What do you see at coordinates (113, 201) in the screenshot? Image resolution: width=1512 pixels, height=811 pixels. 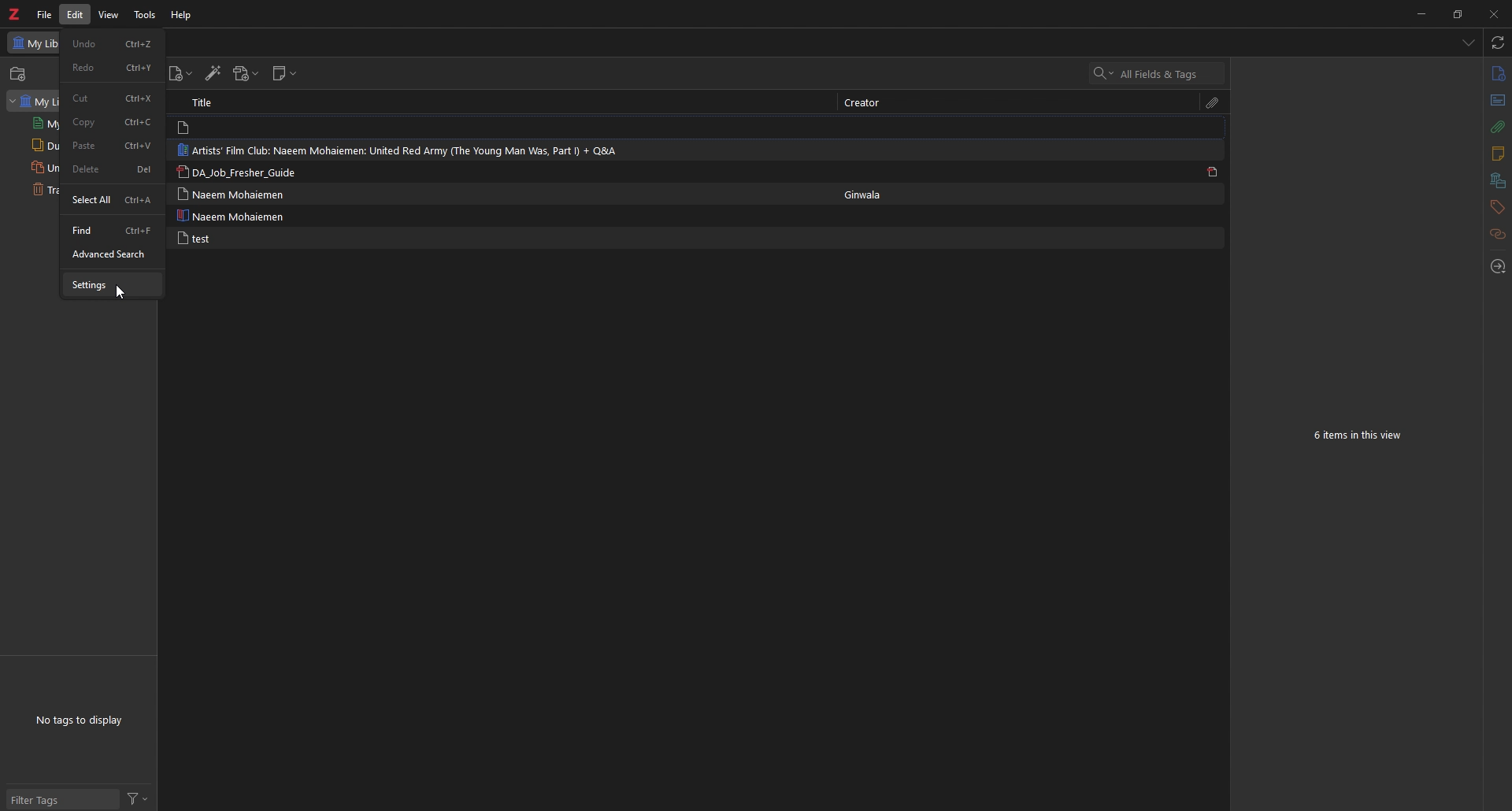 I see `Select All Ctrl+A` at bounding box center [113, 201].